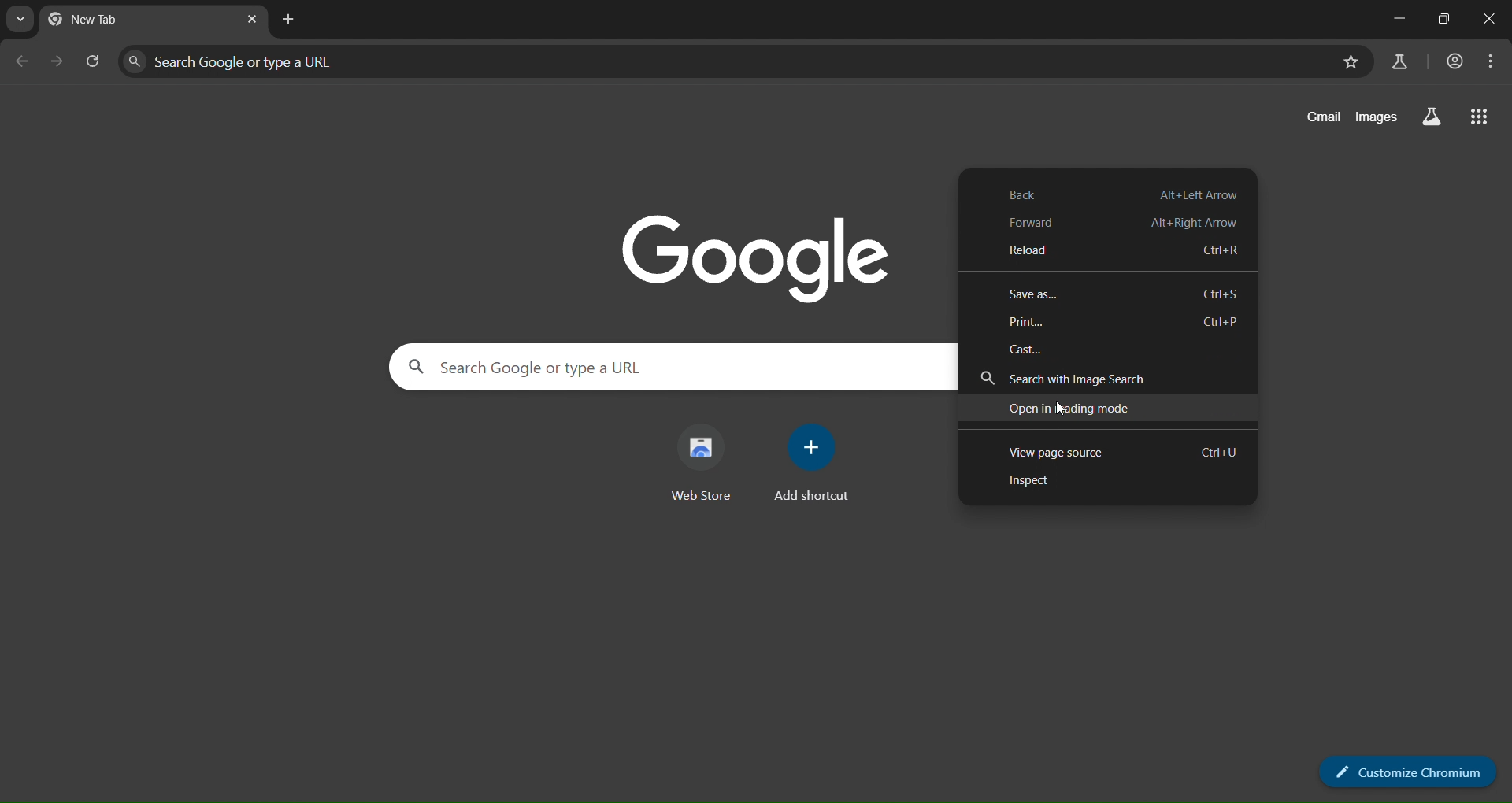 Image resolution: width=1512 pixels, height=803 pixels. I want to click on maximize, so click(1445, 18).